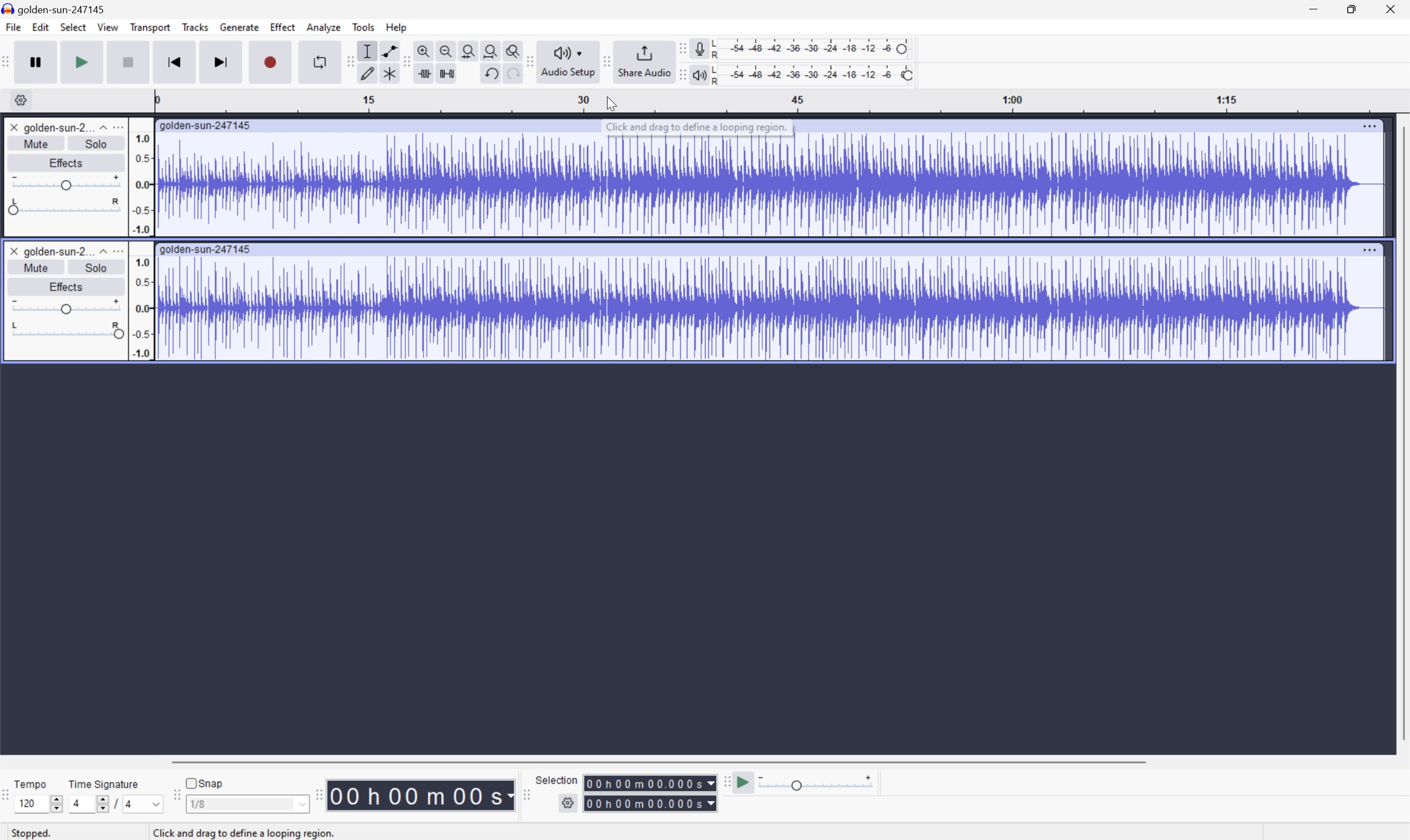  What do you see at coordinates (63, 286) in the screenshot?
I see `Effects` at bounding box center [63, 286].